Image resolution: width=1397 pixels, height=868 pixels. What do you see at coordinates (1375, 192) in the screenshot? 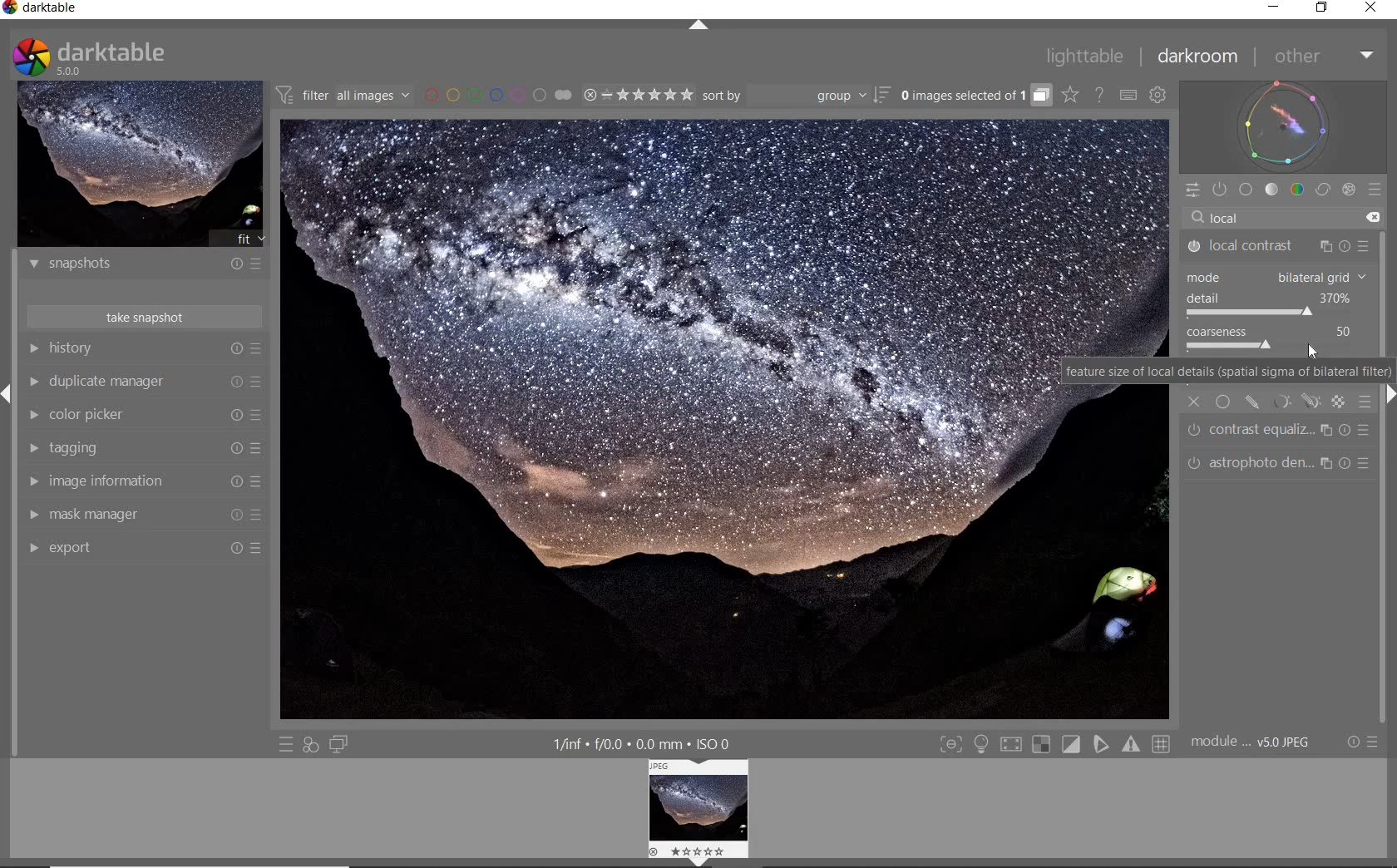
I see `PRESETS` at bounding box center [1375, 192].